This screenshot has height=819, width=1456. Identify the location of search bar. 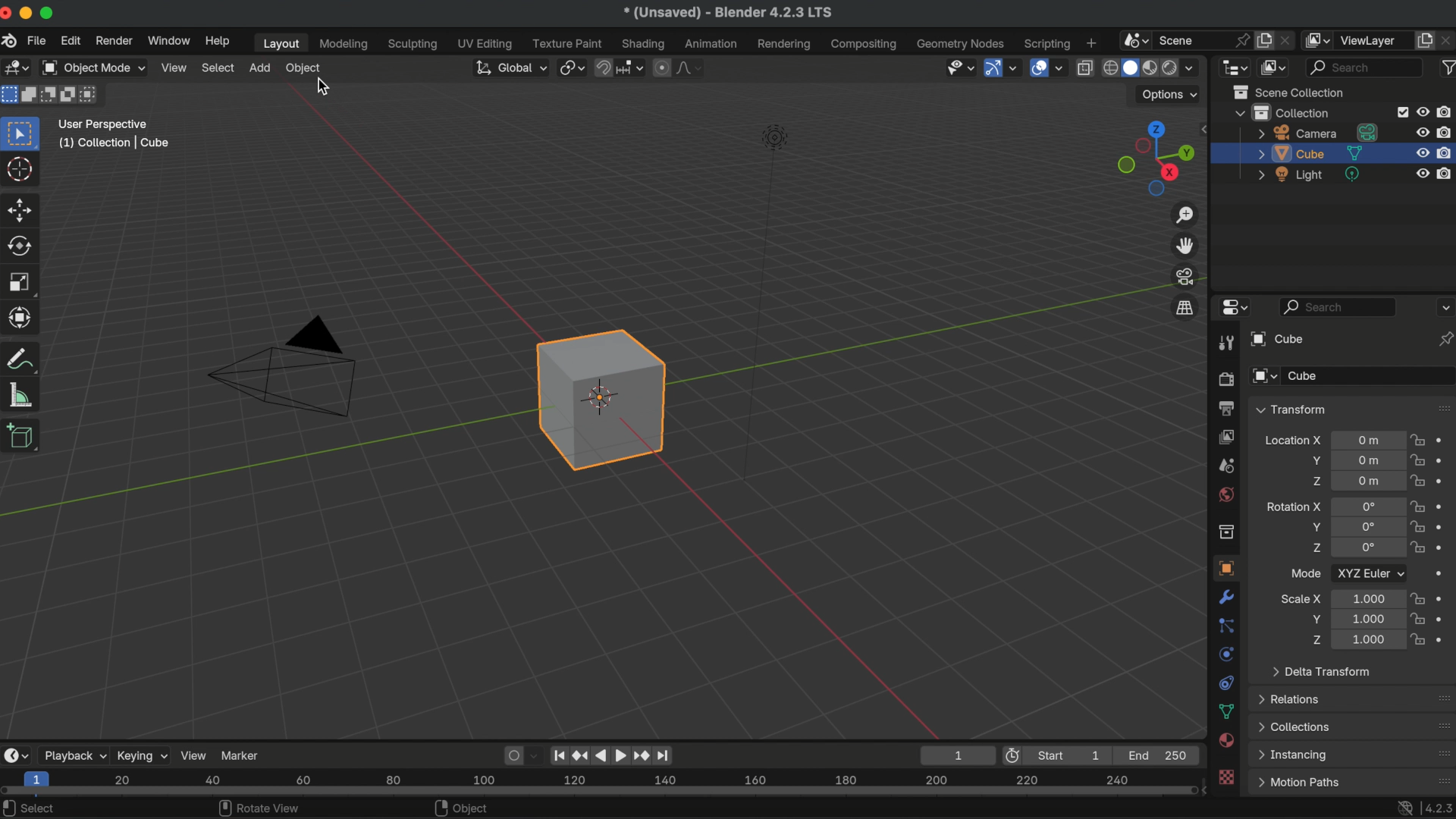
(1338, 306).